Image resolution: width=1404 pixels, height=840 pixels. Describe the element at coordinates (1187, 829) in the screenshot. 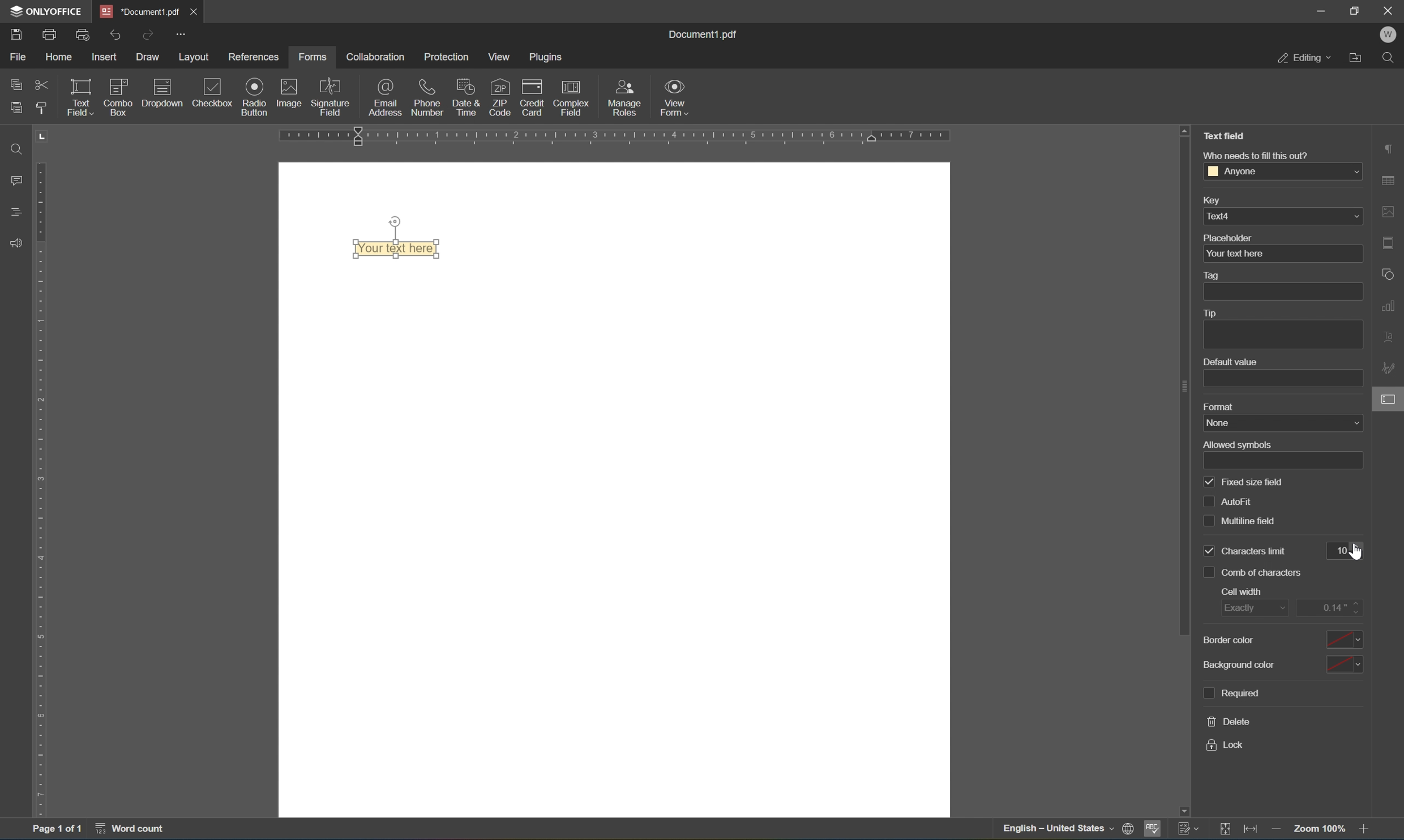

I see `track changes` at that location.